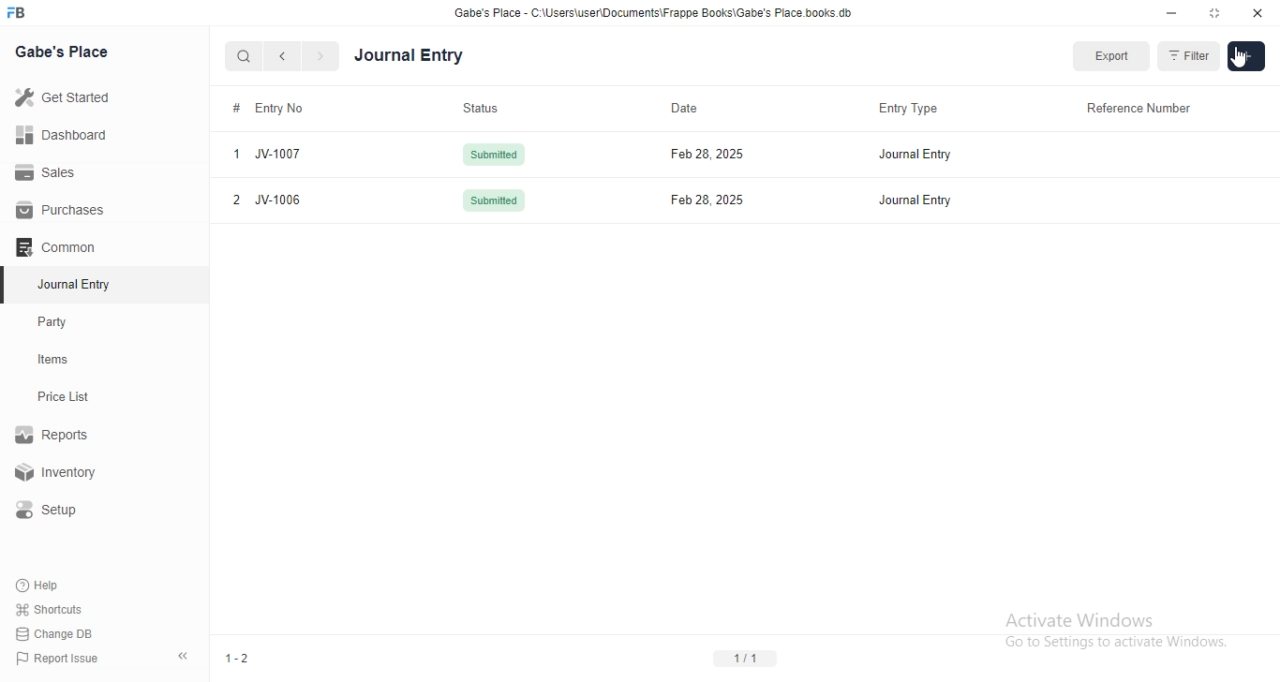 This screenshot has width=1280, height=682. I want to click on cursor, so click(1247, 58).